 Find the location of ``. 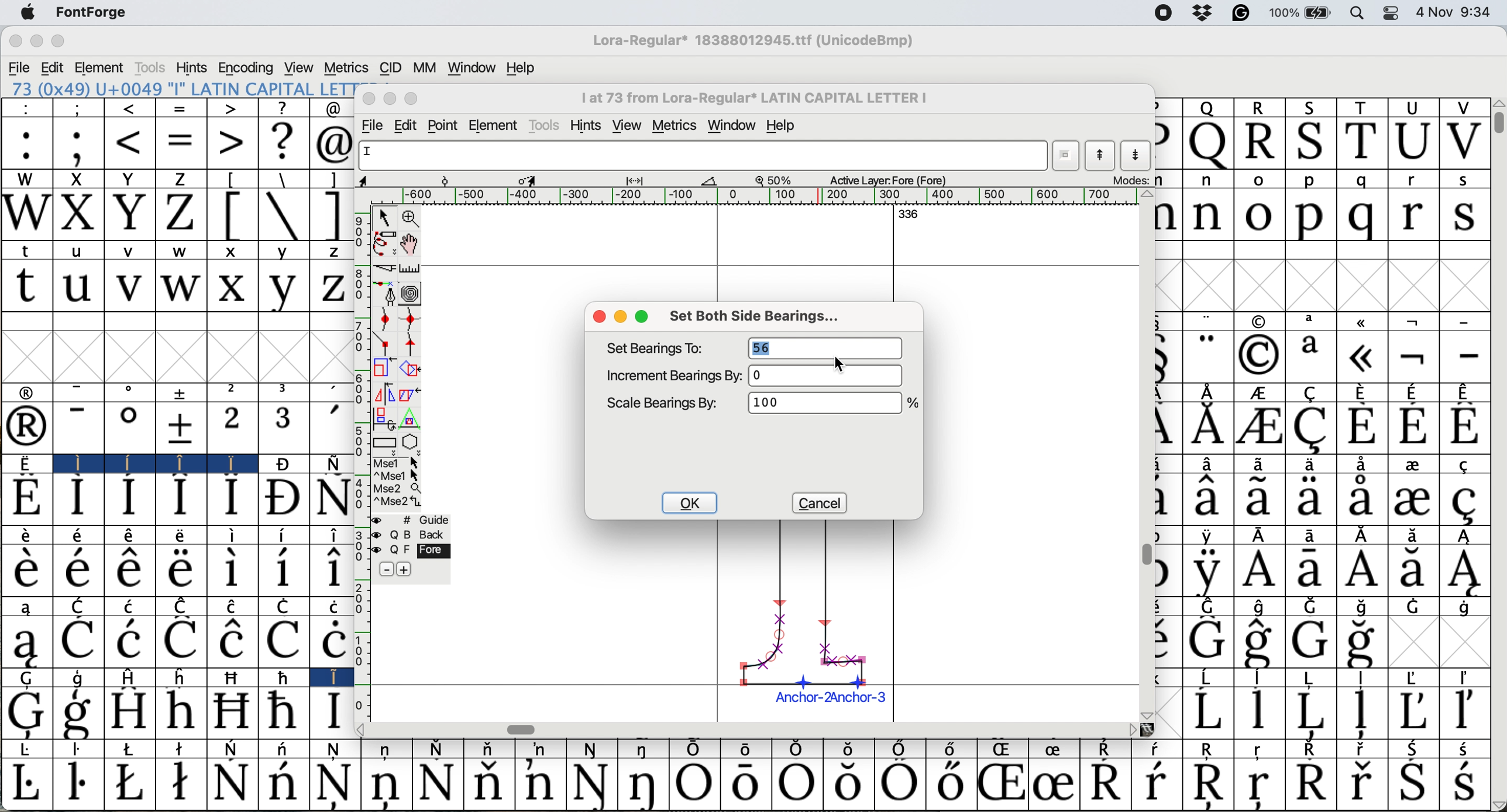

 is located at coordinates (1498, 102).